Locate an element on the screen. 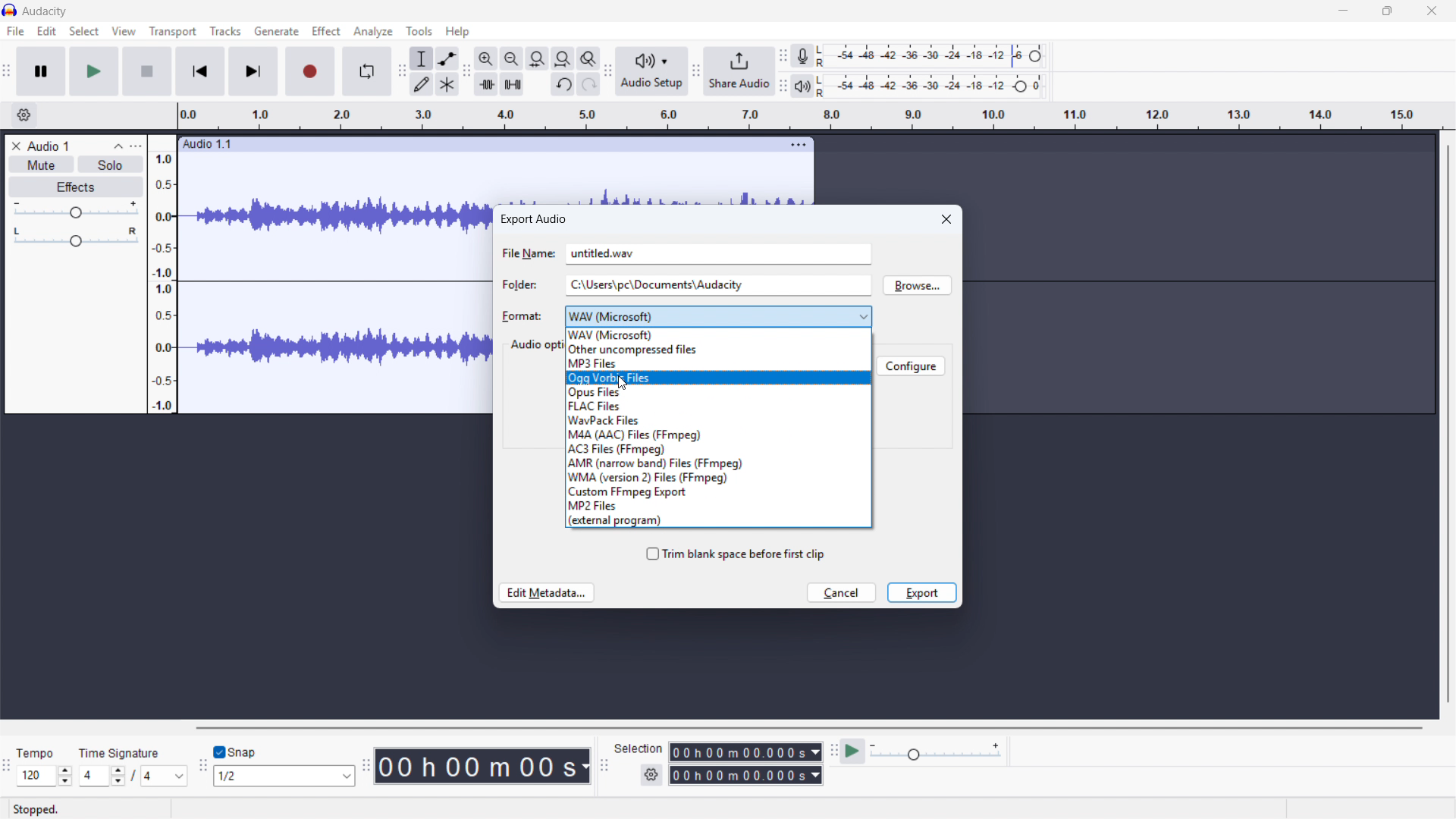 The image size is (1456, 819). Timeline  is located at coordinates (811, 116).